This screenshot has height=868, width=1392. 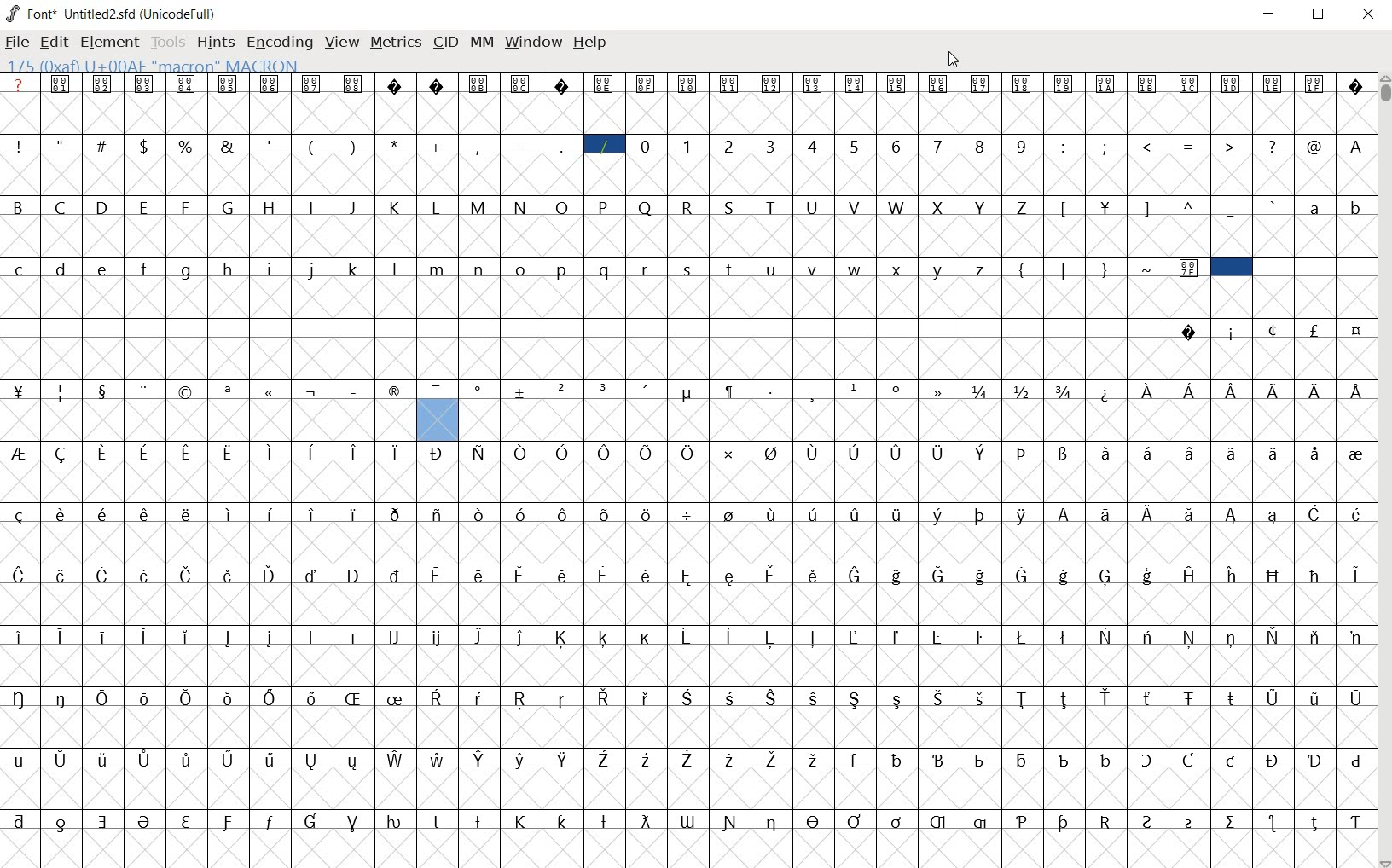 What do you see at coordinates (521, 269) in the screenshot?
I see `o` at bounding box center [521, 269].